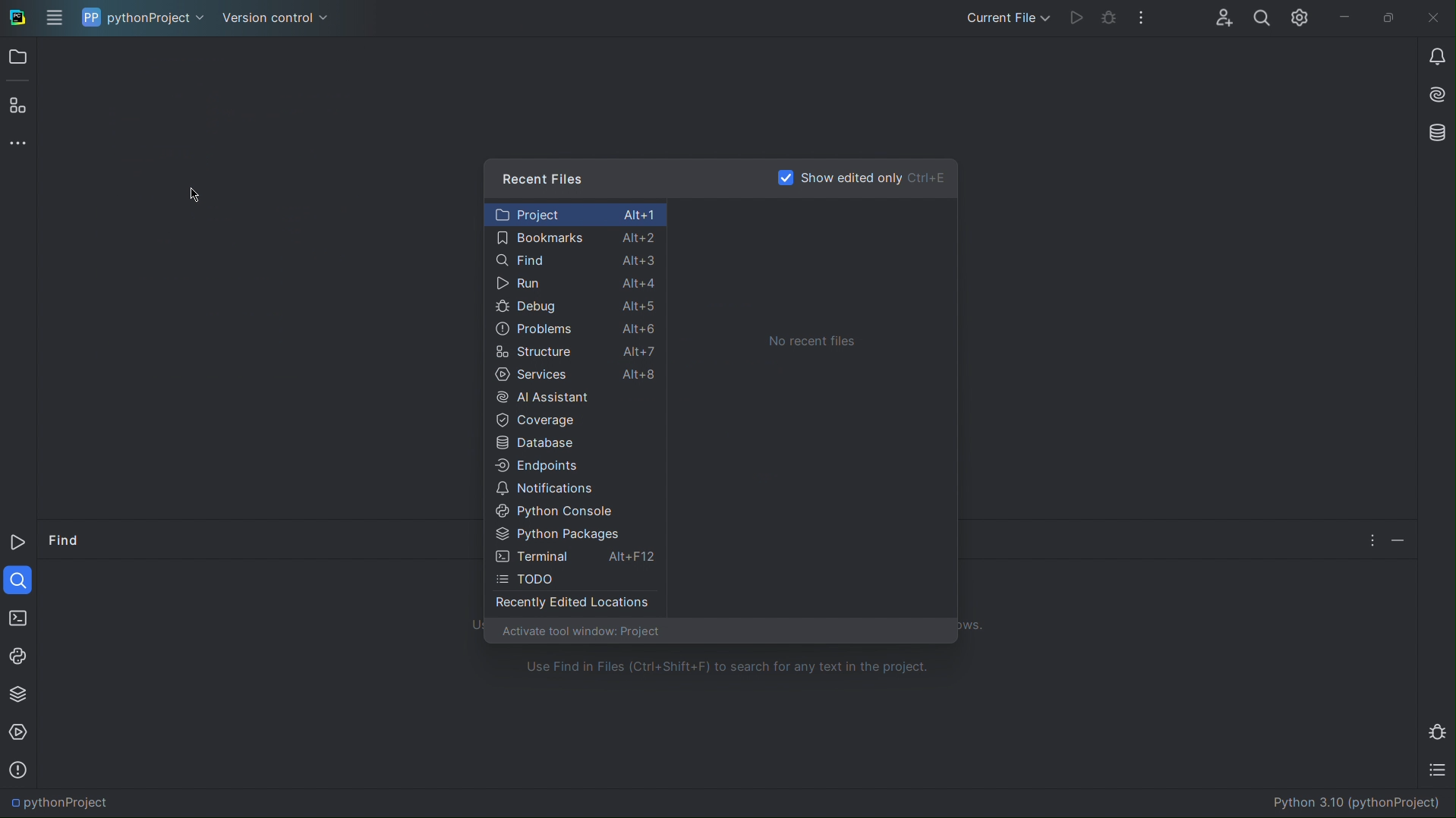  Describe the element at coordinates (1346, 17) in the screenshot. I see `Minimize` at that location.